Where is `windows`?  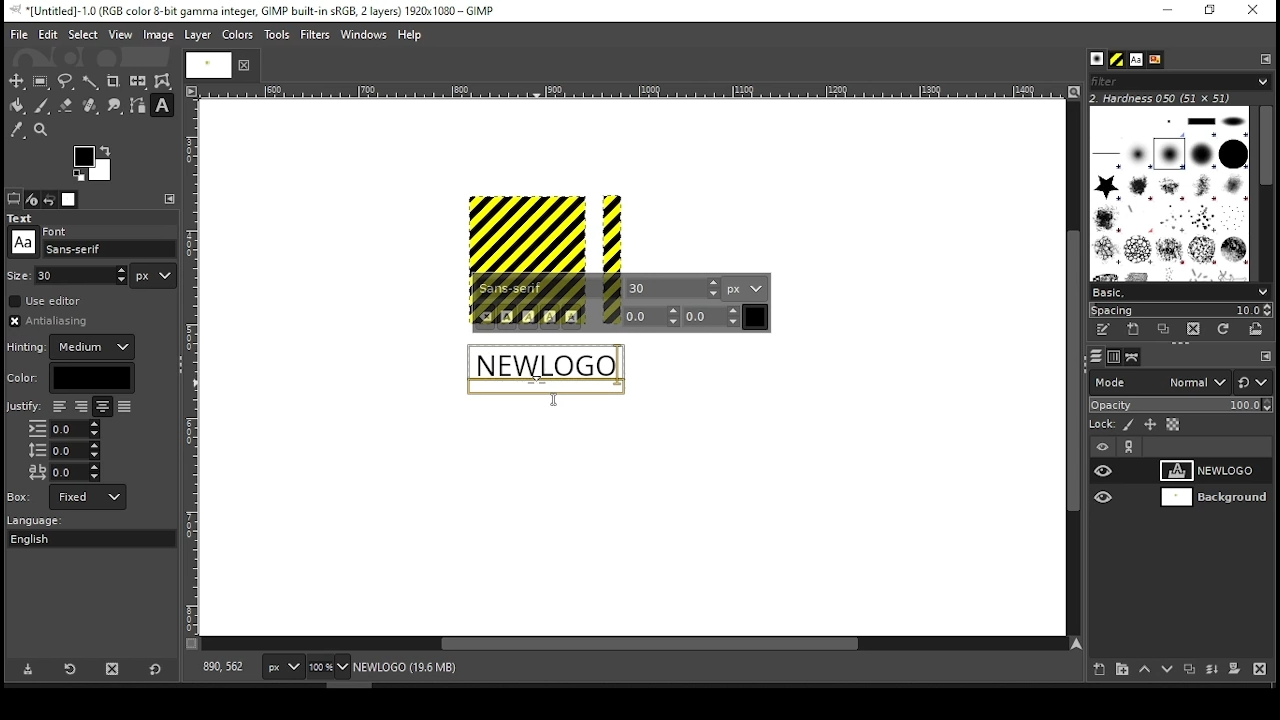
windows is located at coordinates (365, 36).